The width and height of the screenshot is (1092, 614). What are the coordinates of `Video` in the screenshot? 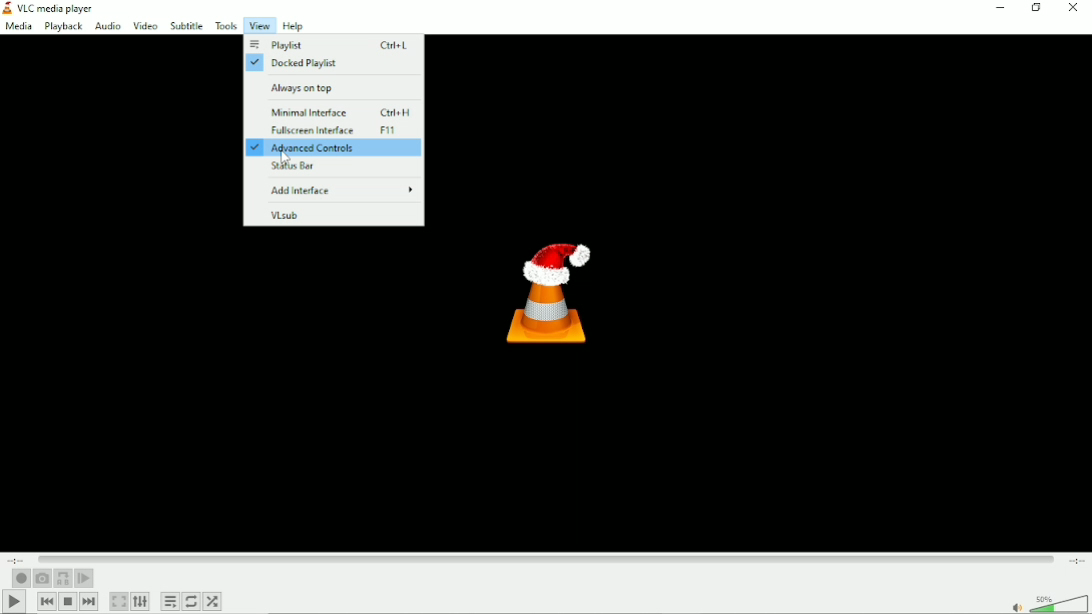 It's located at (145, 25).